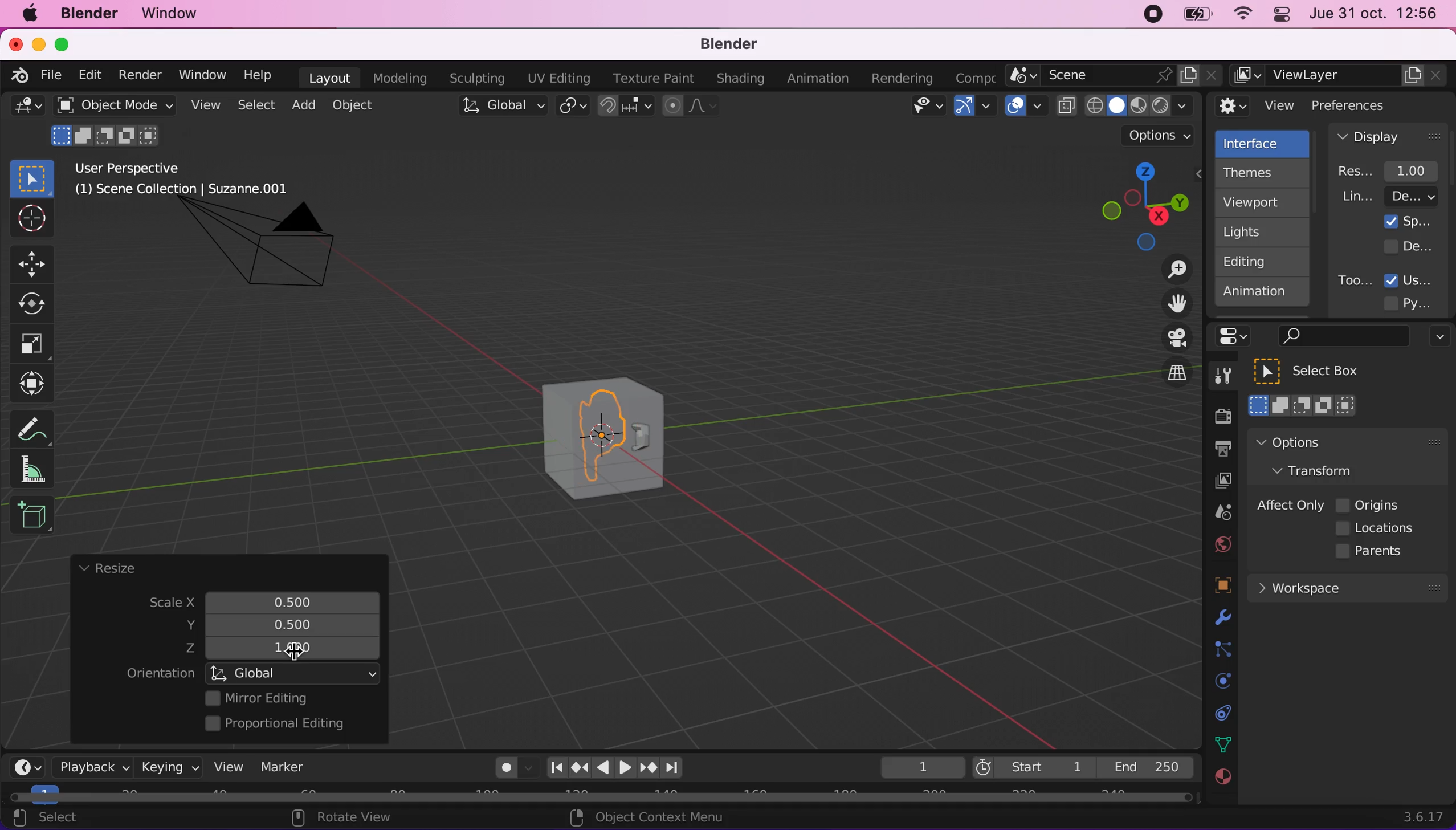 This screenshot has width=1456, height=830. Describe the element at coordinates (1340, 76) in the screenshot. I see `view layer` at that location.